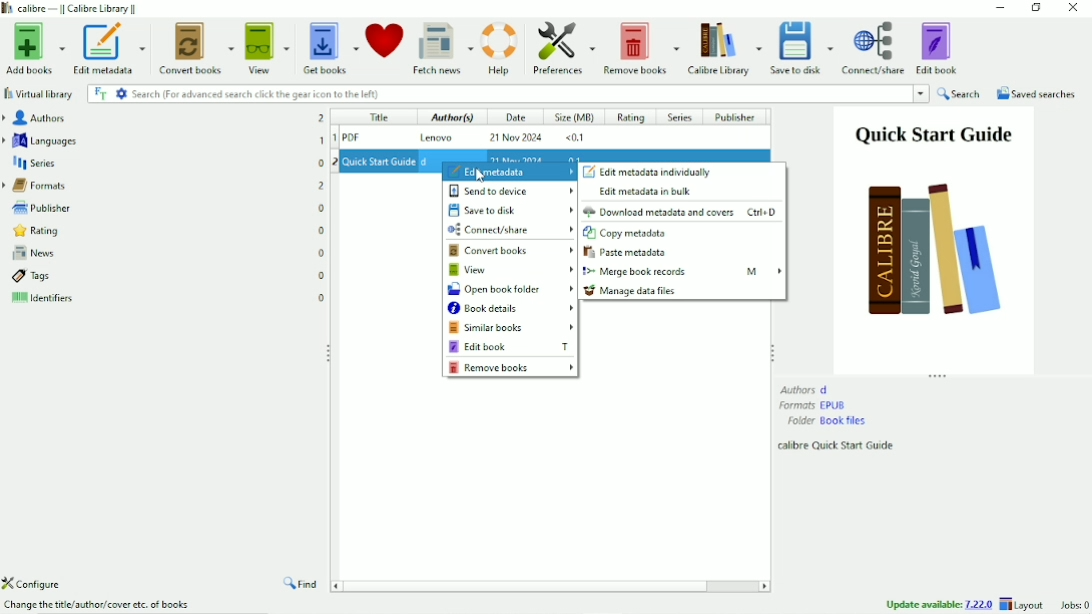  I want to click on Donate, so click(384, 40).